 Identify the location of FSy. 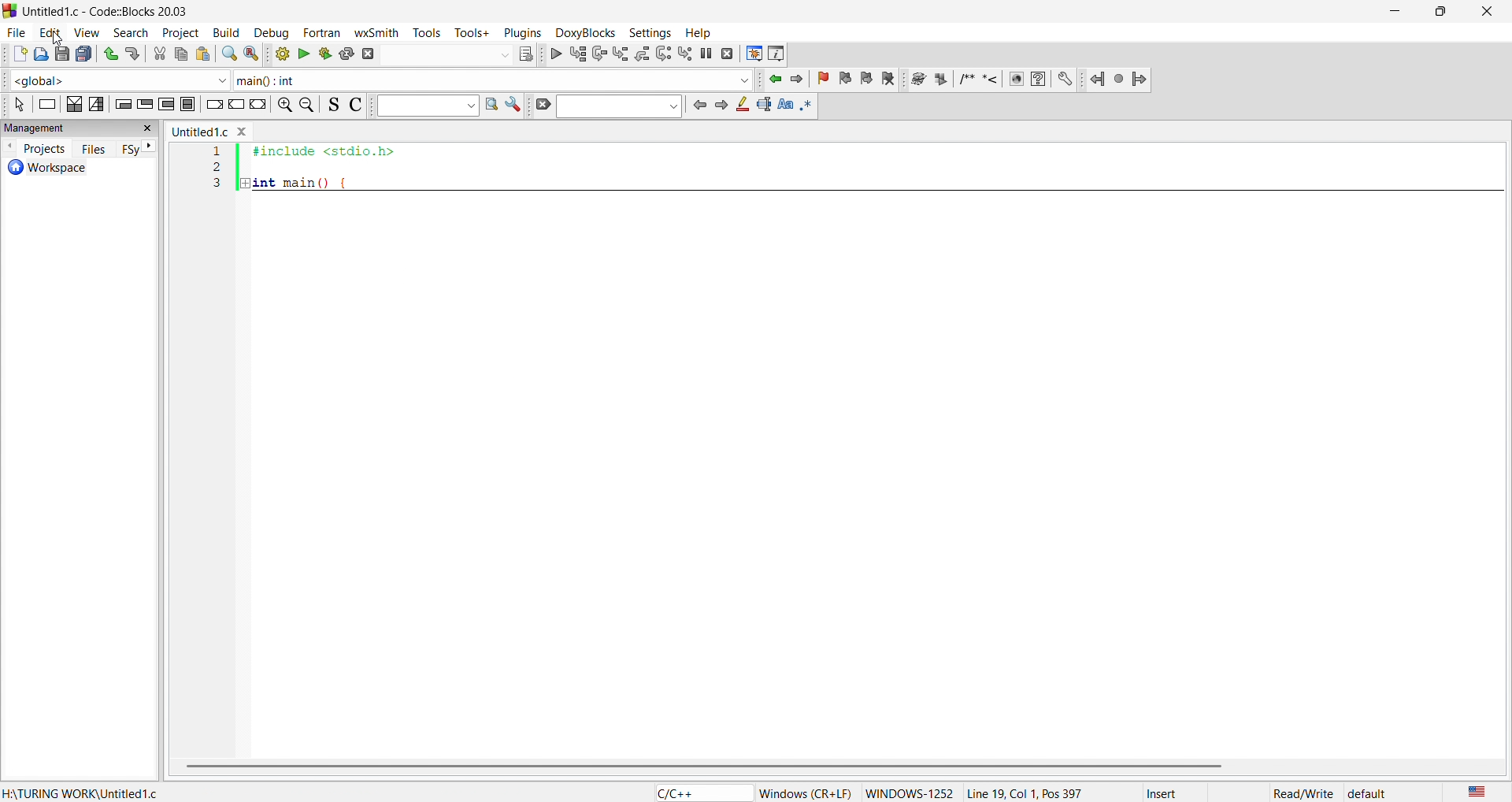
(130, 150).